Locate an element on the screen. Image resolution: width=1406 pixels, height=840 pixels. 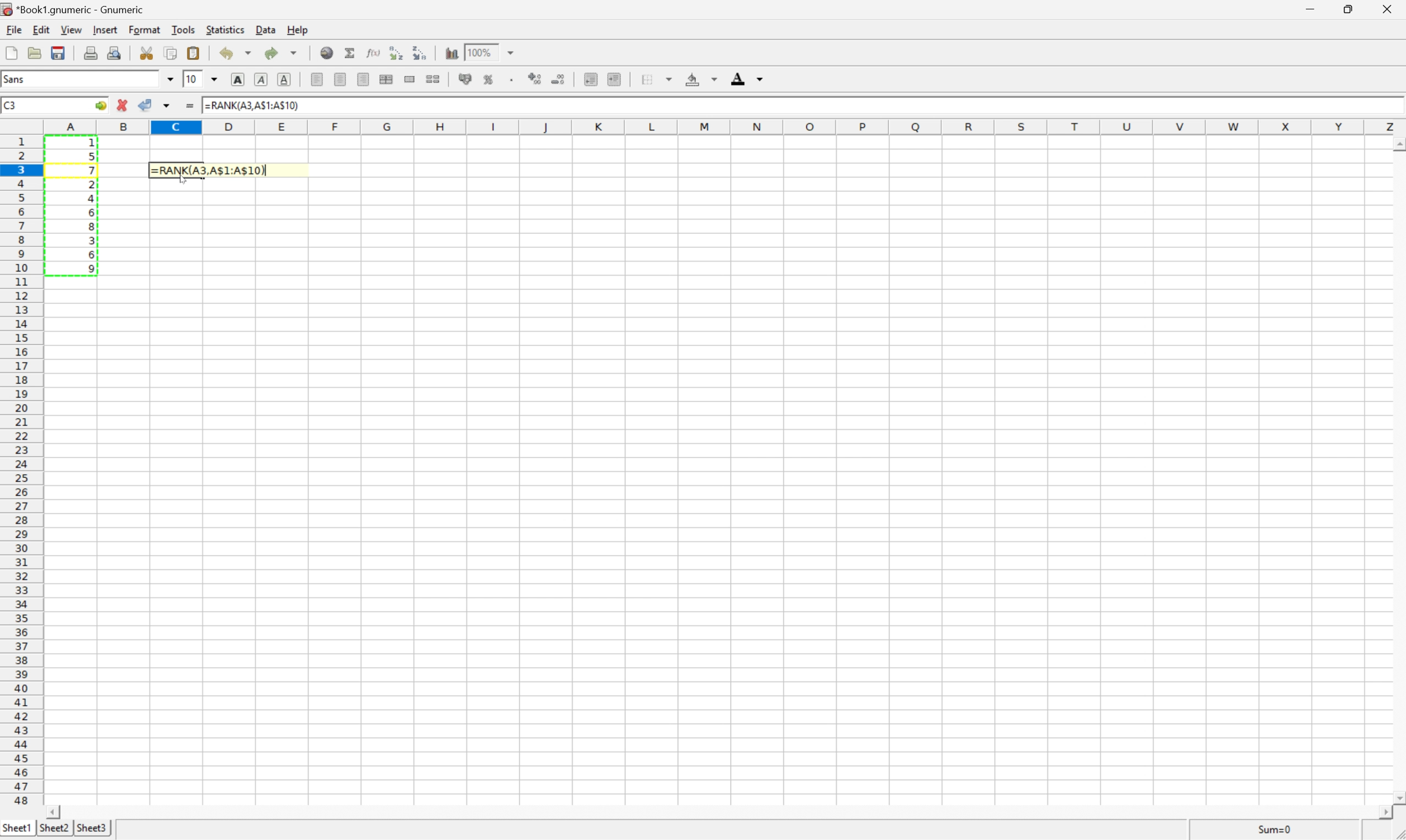
chart is located at coordinates (448, 52).